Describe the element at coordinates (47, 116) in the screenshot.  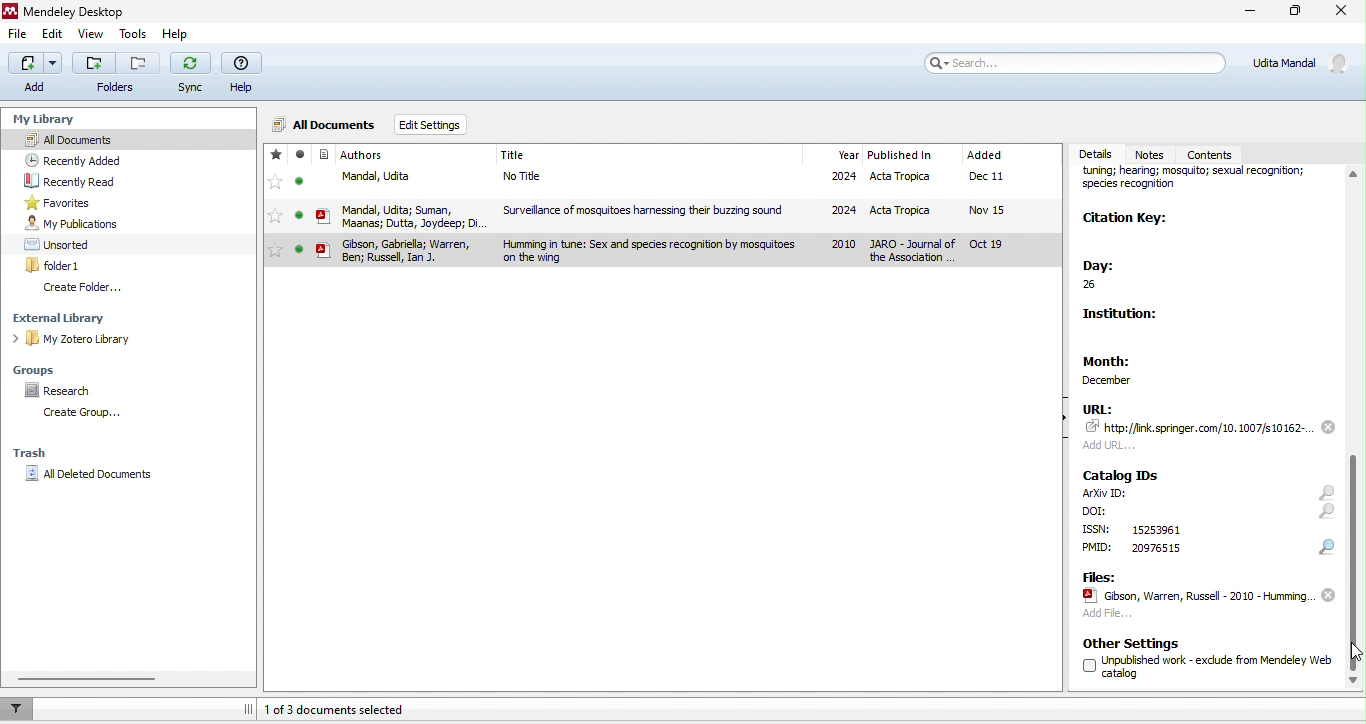
I see `my library` at that location.